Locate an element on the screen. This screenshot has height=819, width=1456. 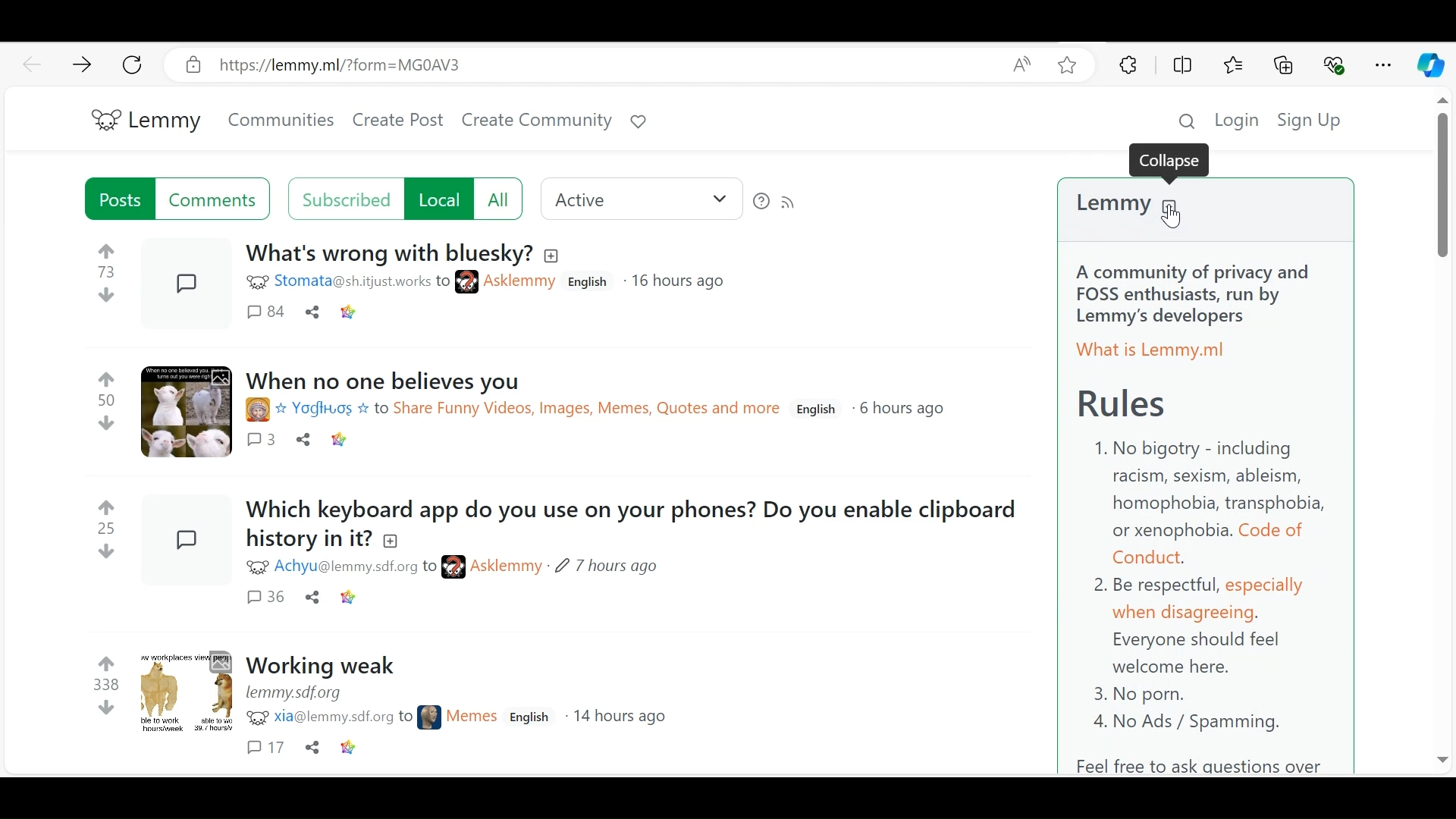
Create Community is located at coordinates (535, 124).